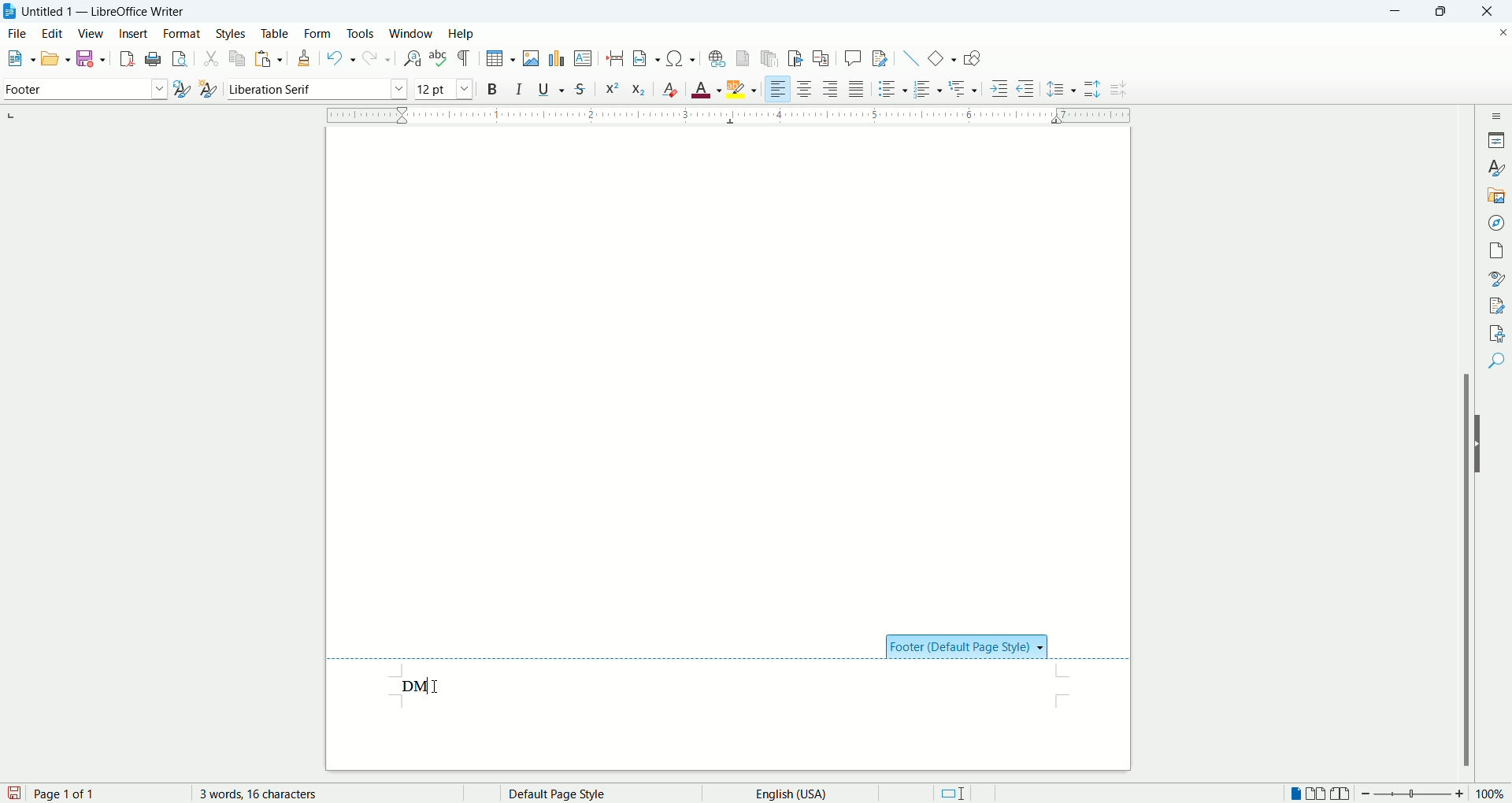 The image size is (1512, 803). Describe the element at coordinates (965, 87) in the screenshot. I see `outline` at that location.